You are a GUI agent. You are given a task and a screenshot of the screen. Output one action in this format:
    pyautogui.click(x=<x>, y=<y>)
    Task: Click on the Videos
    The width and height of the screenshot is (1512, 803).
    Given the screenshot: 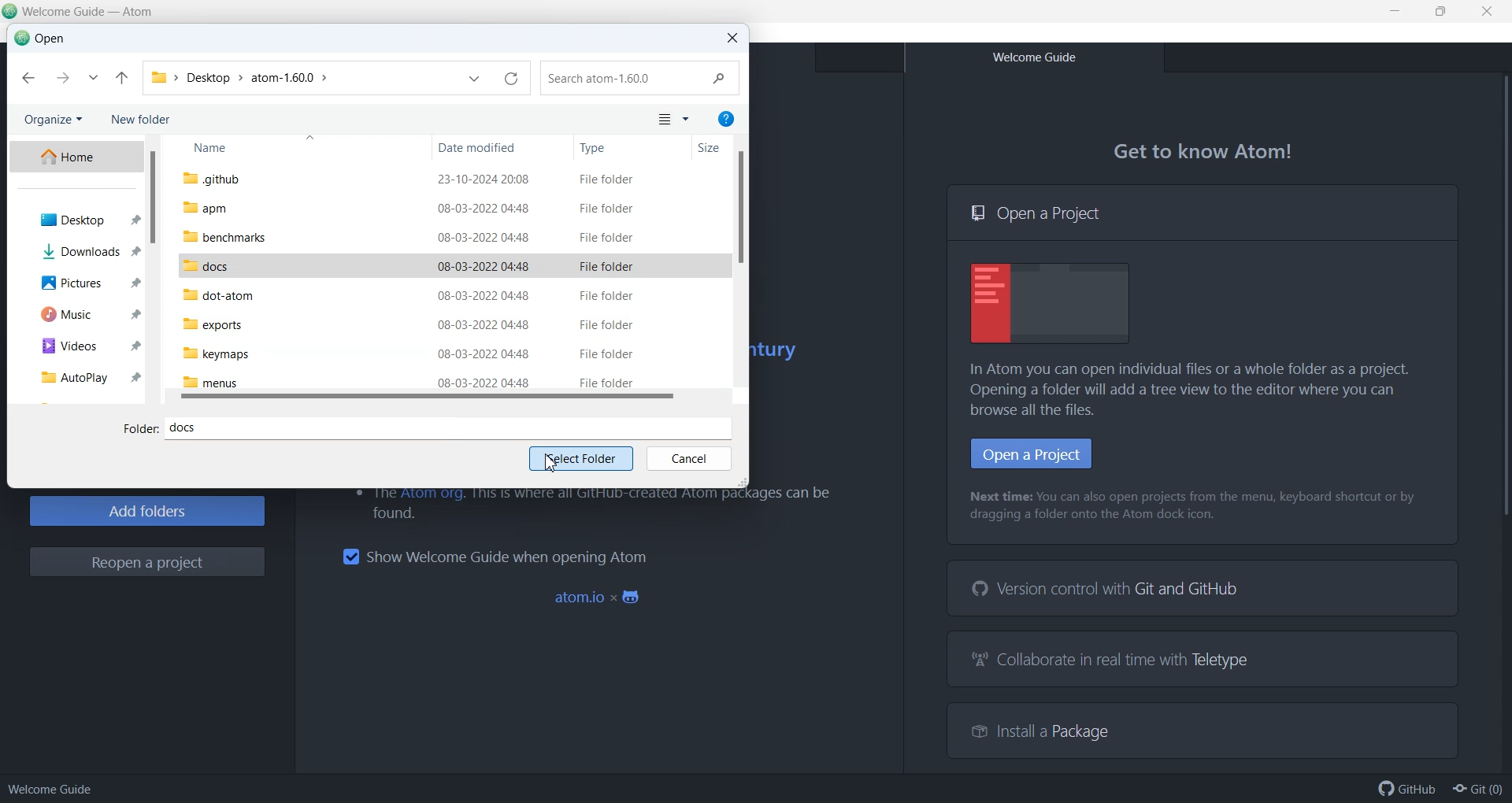 What is the action you would take?
    pyautogui.click(x=76, y=343)
    